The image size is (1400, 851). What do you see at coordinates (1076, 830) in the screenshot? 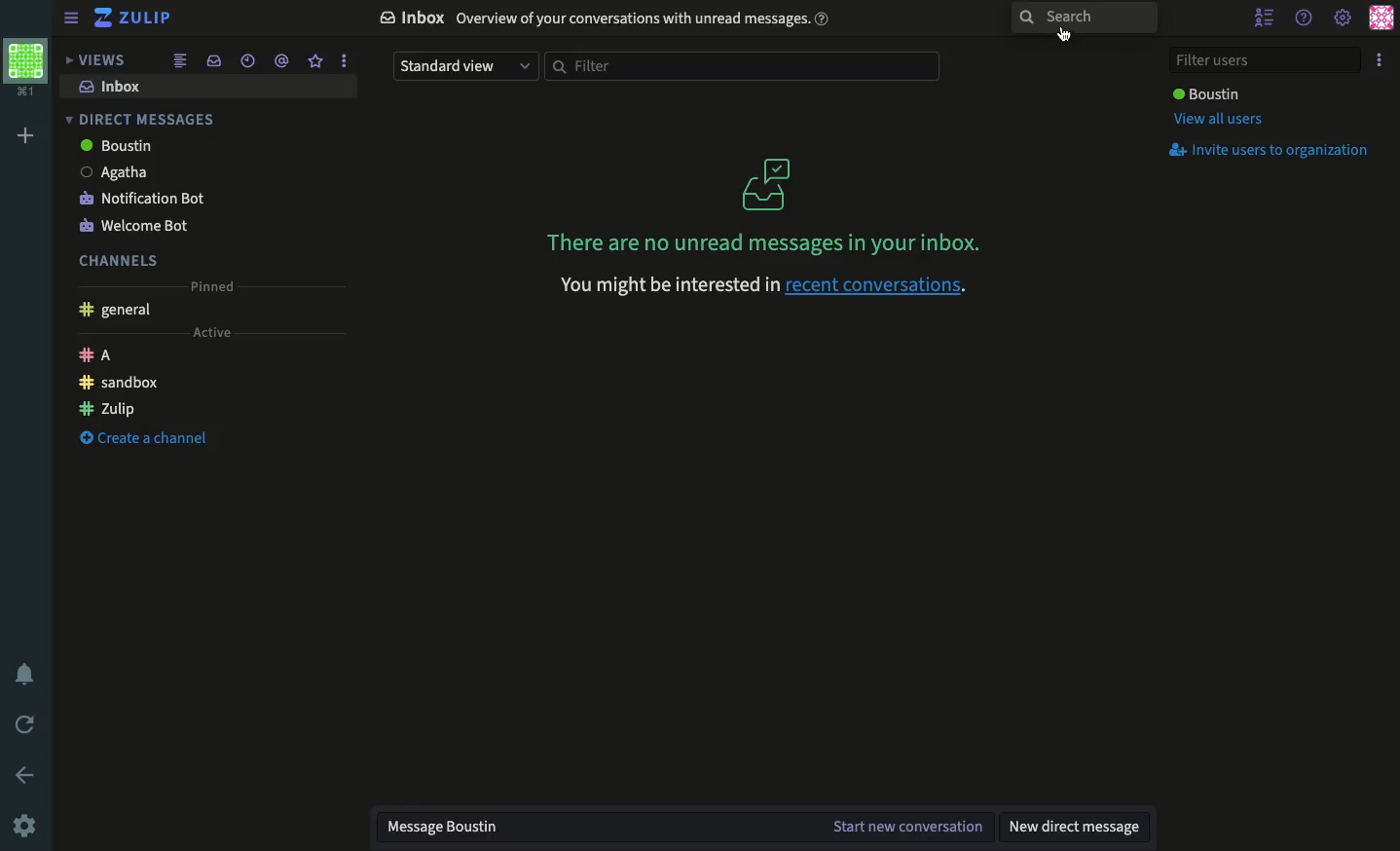
I see `New DM` at bounding box center [1076, 830].